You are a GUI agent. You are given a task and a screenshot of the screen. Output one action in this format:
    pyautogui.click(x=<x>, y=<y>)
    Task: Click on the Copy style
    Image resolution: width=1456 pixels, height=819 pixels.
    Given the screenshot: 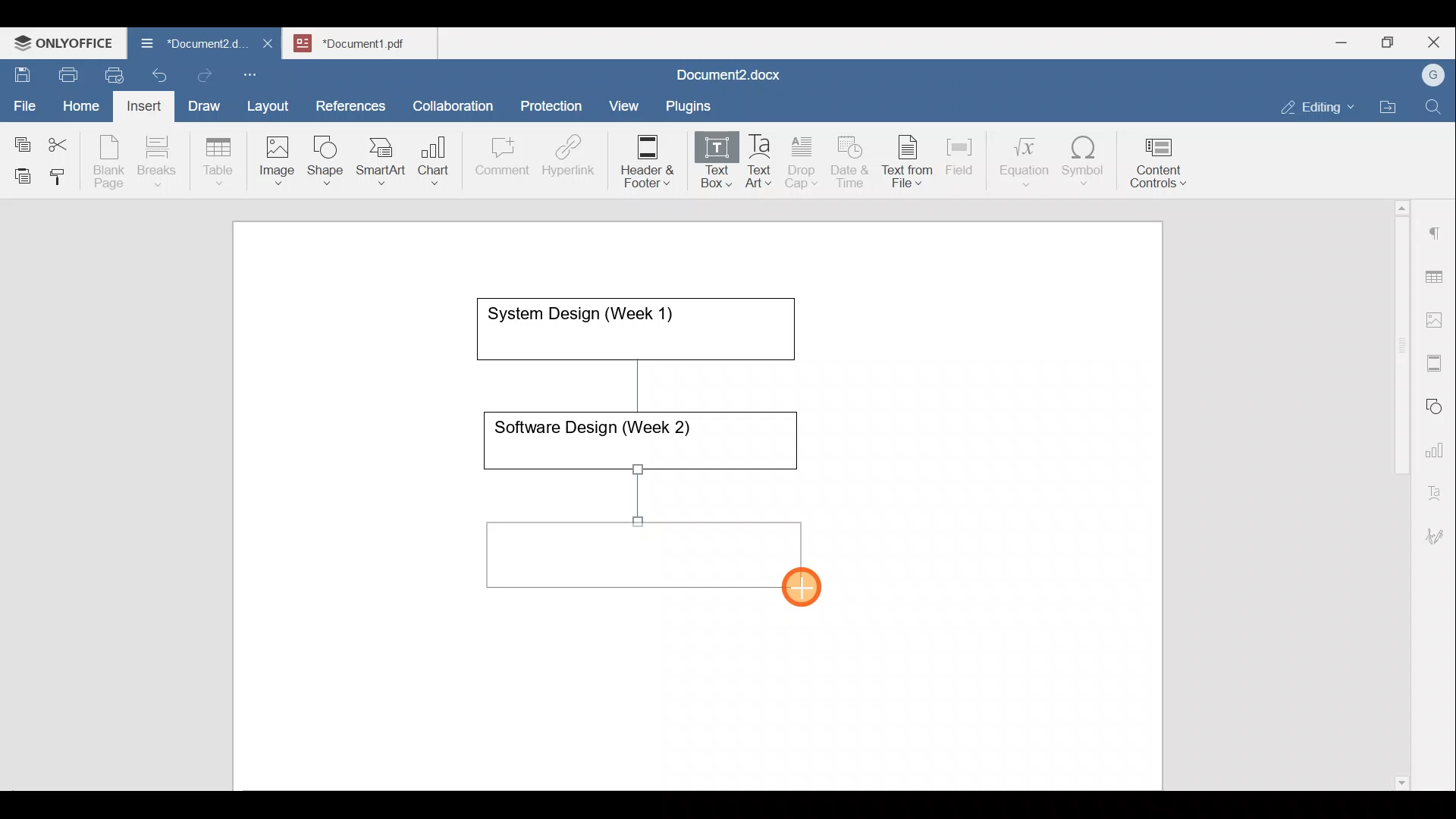 What is the action you would take?
    pyautogui.click(x=63, y=173)
    